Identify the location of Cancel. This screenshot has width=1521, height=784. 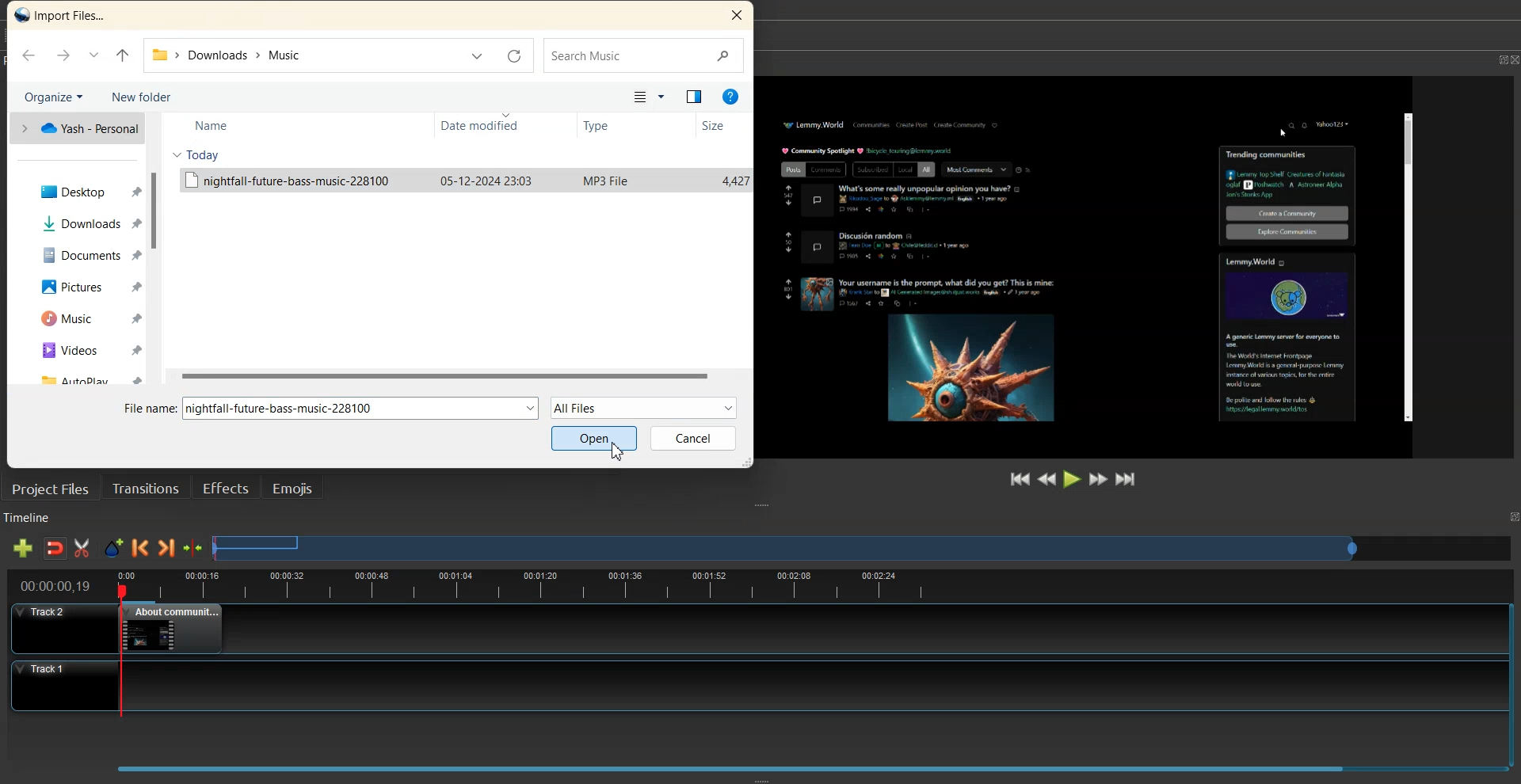
(693, 439).